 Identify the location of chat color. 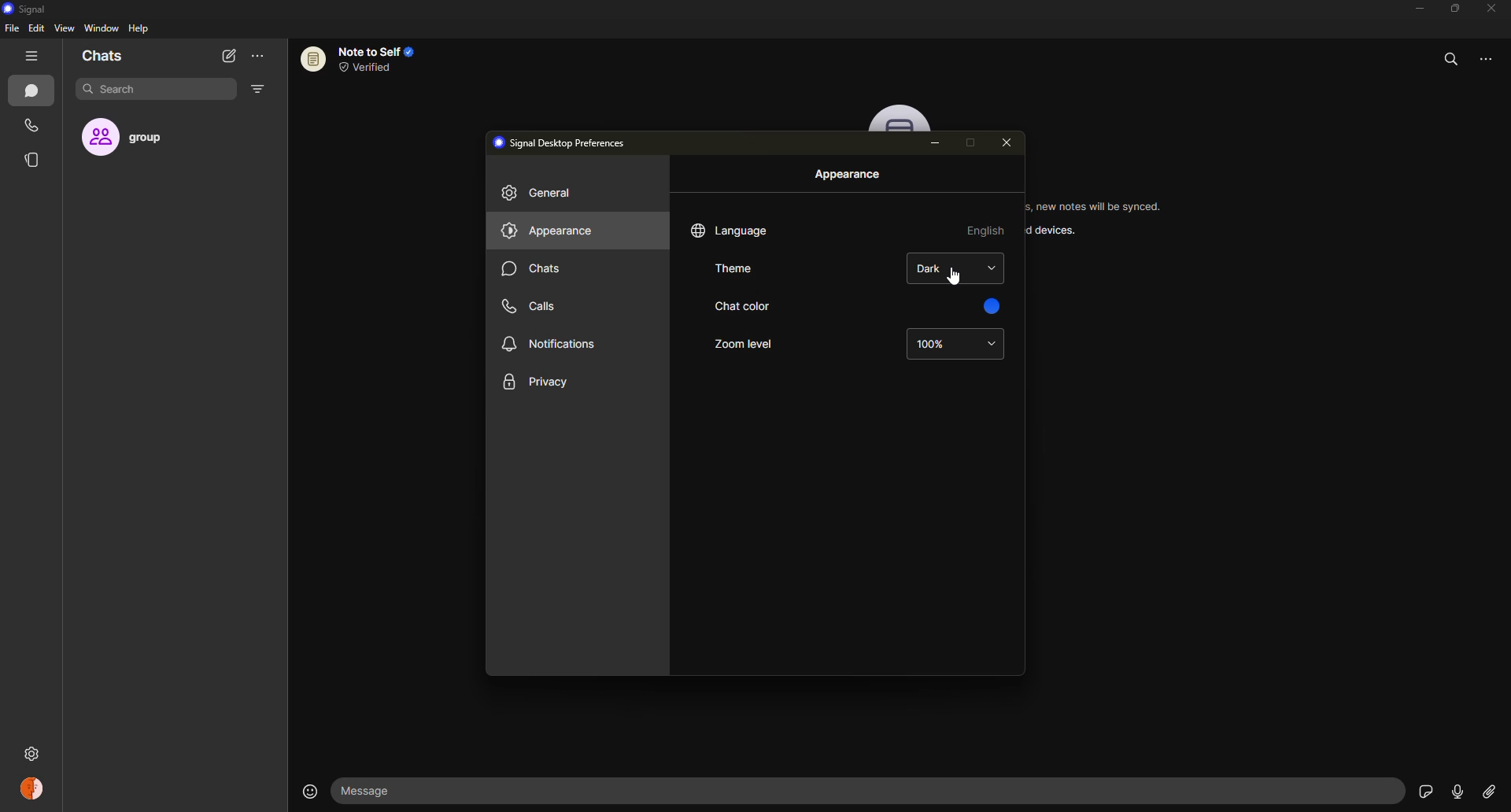
(741, 306).